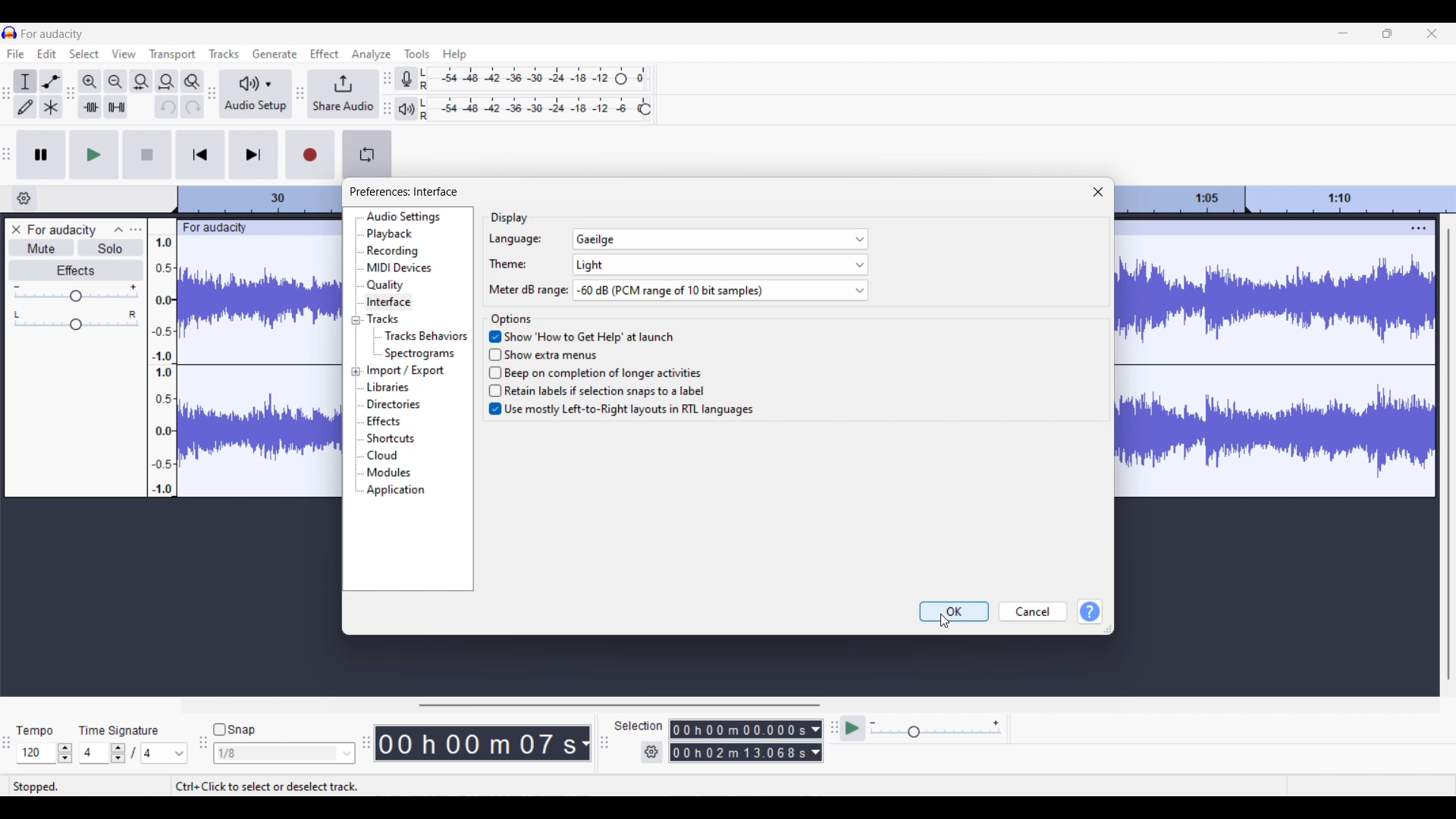  What do you see at coordinates (1432, 33) in the screenshot?
I see `Close interface` at bounding box center [1432, 33].